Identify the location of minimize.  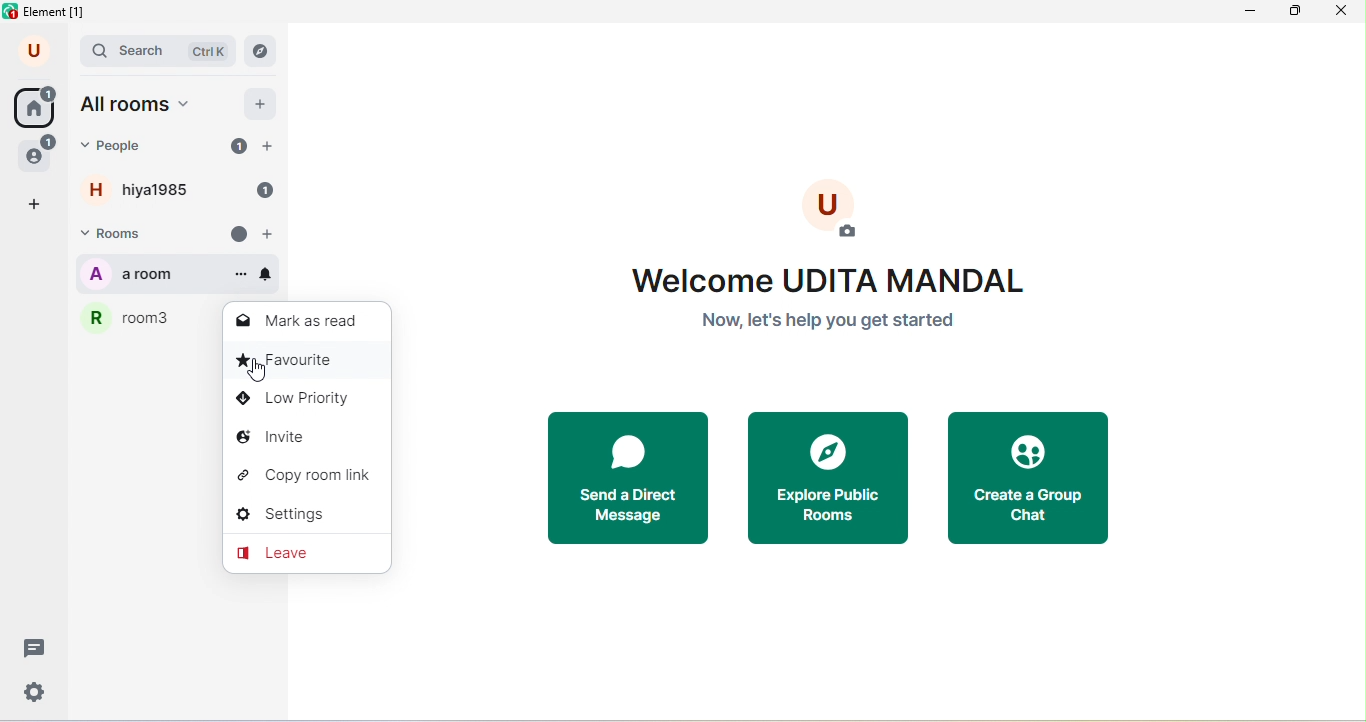
(1248, 15).